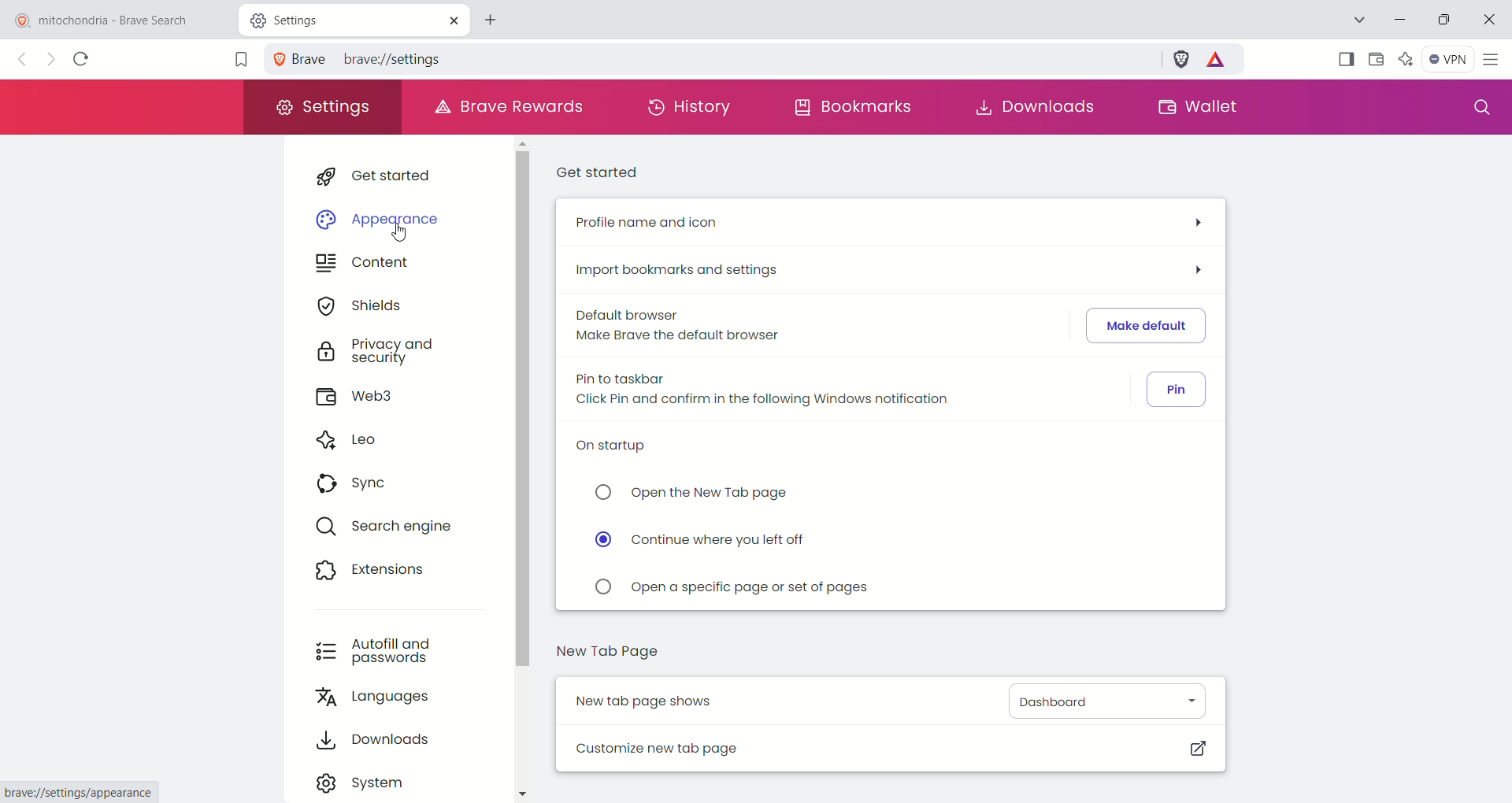 The width and height of the screenshot is (1512, 803). I want to click on brave://settings/appearance, so click(81, 793).